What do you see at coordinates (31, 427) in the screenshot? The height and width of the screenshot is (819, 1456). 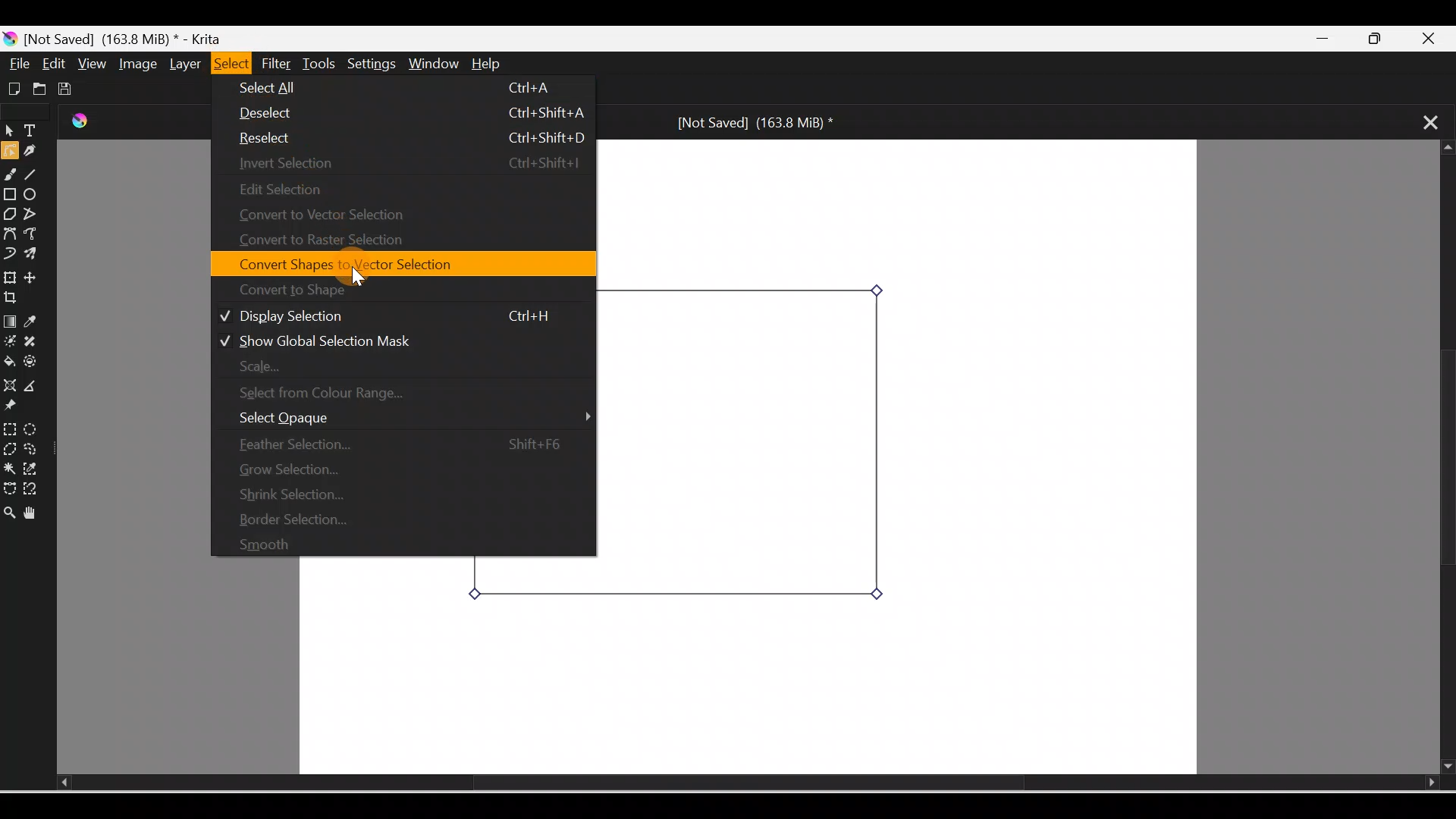 I see `Elliptical selection tool` at bounding box center [31, 427].